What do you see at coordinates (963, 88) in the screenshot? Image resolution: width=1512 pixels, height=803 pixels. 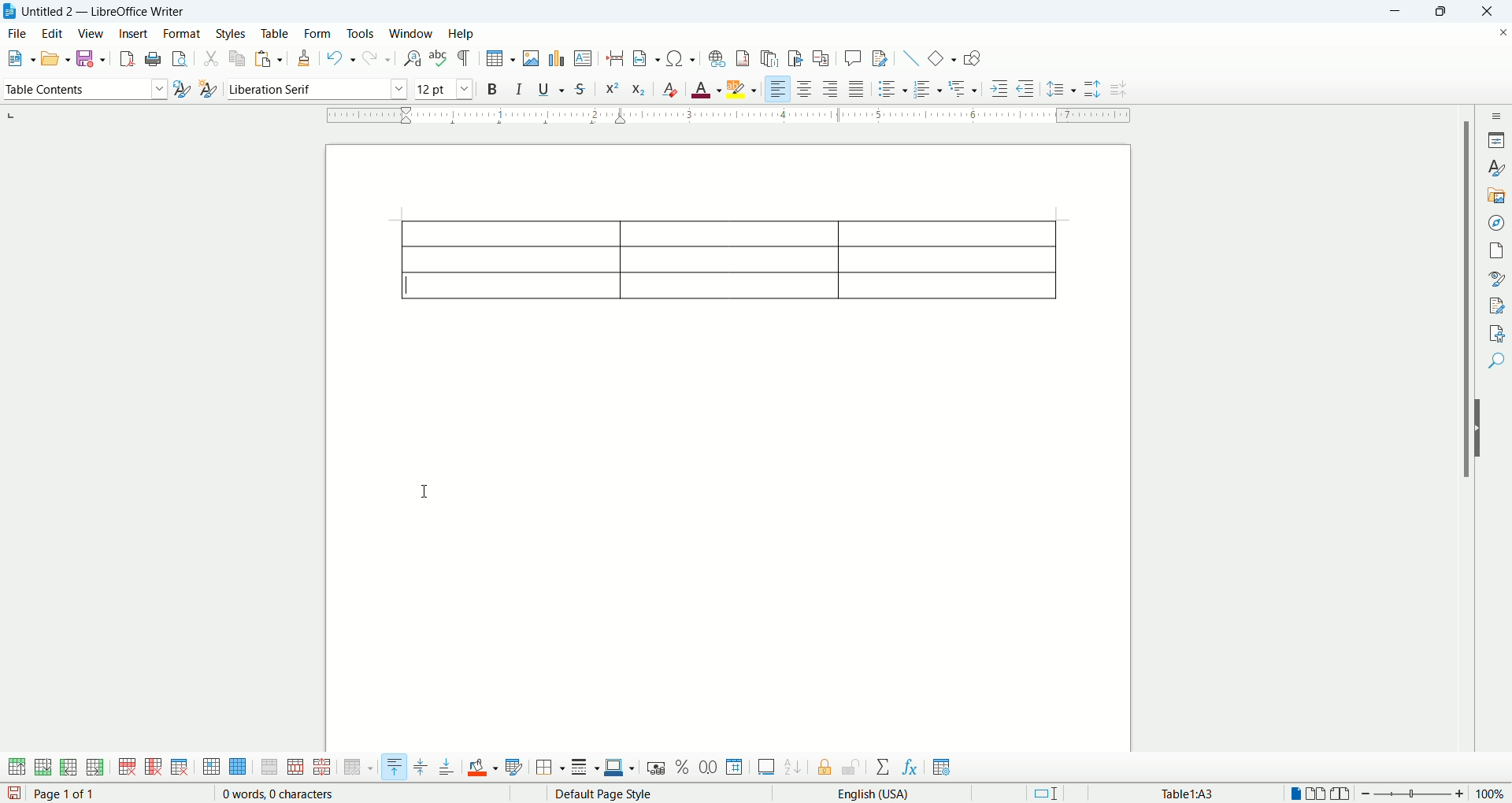 I see `format outline` at bounding box center [963, 88].